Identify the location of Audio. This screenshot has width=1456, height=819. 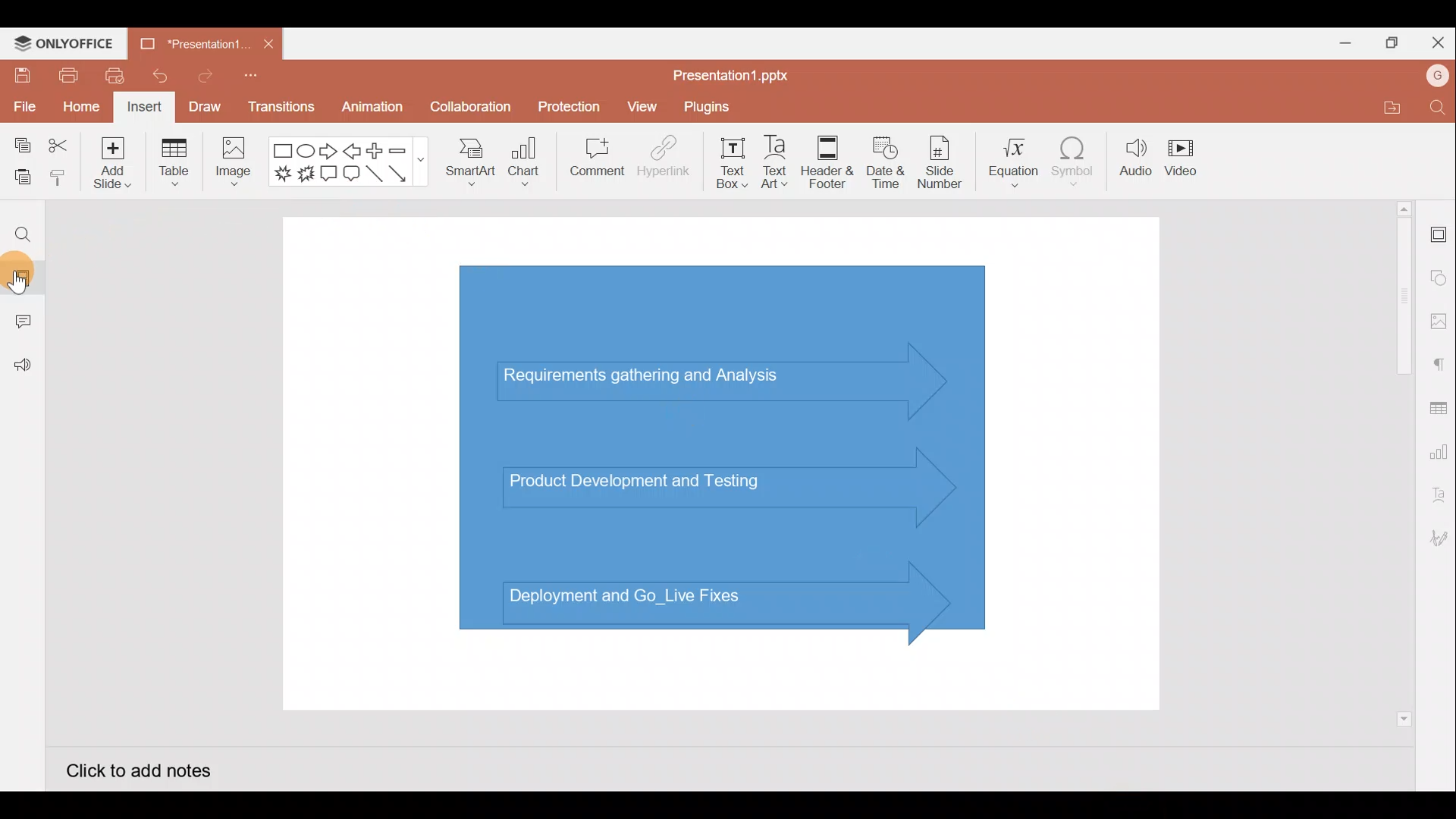
(1132, 163).